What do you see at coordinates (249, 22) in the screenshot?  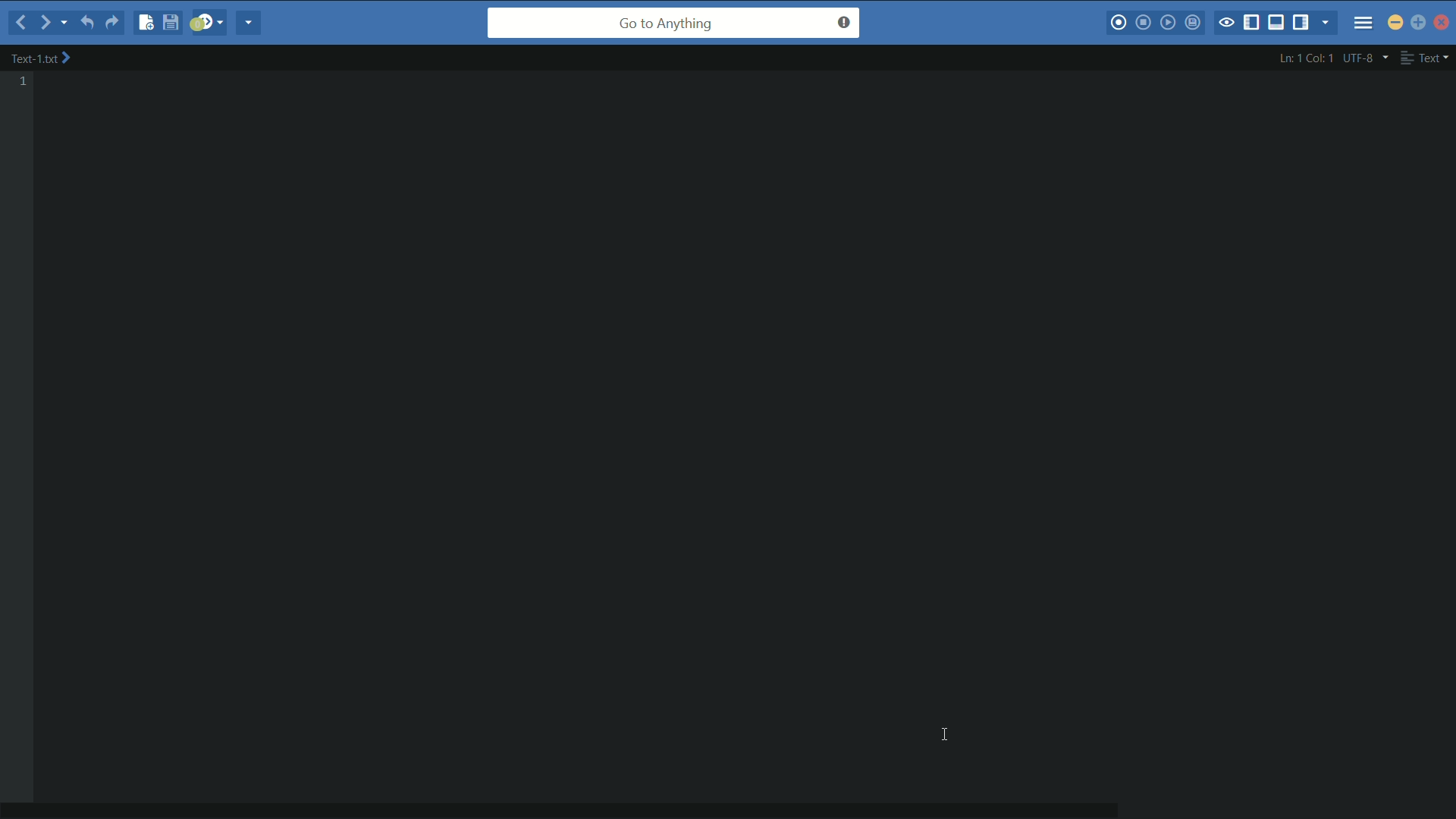 I see `share current file` at bounding box center [249, 22].